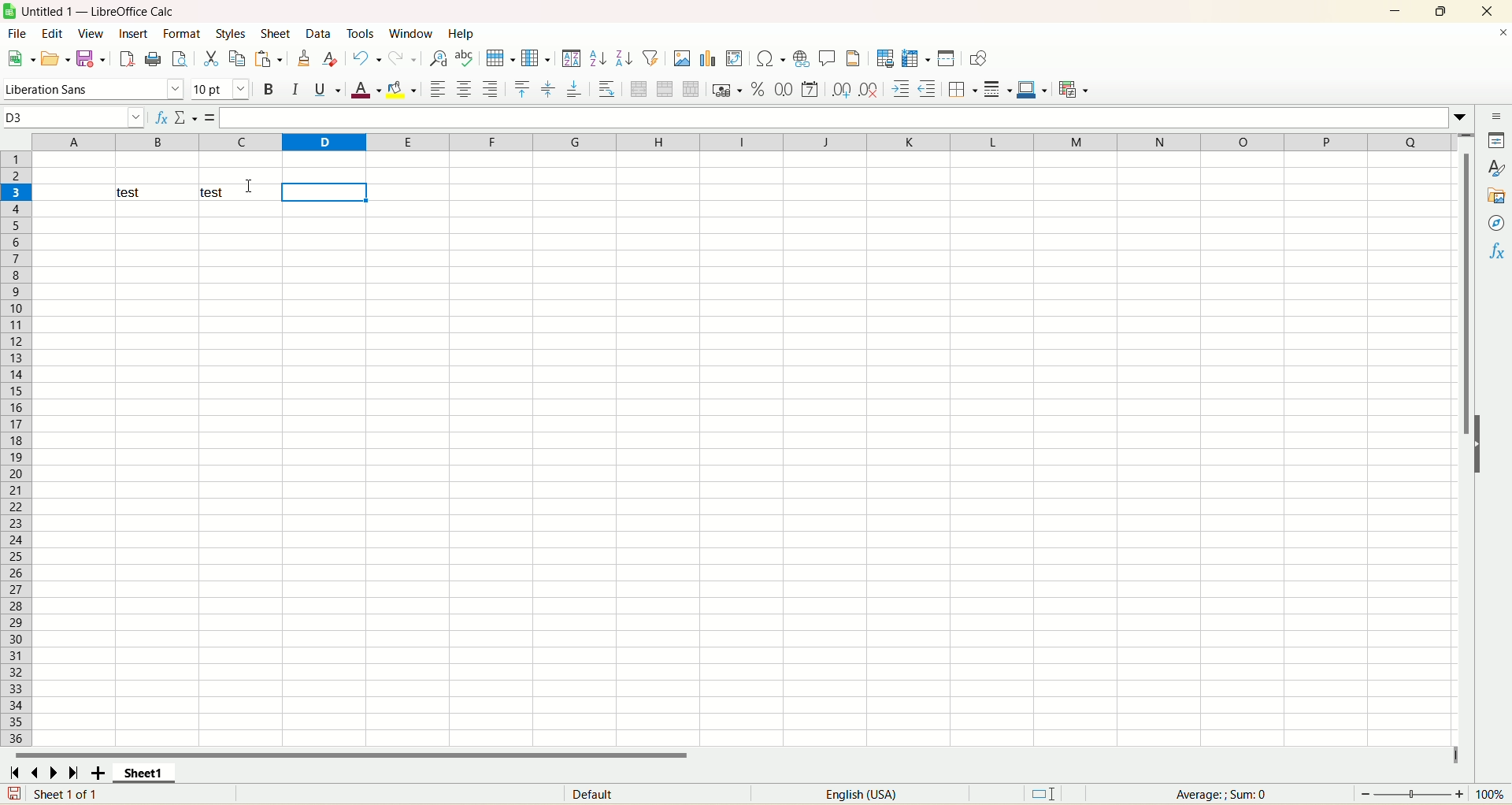 The image size is (1512, 805). What do you see at coordinates (16, 193) in the screenshot?
I see `active row number` at bounding box center [16, 193].